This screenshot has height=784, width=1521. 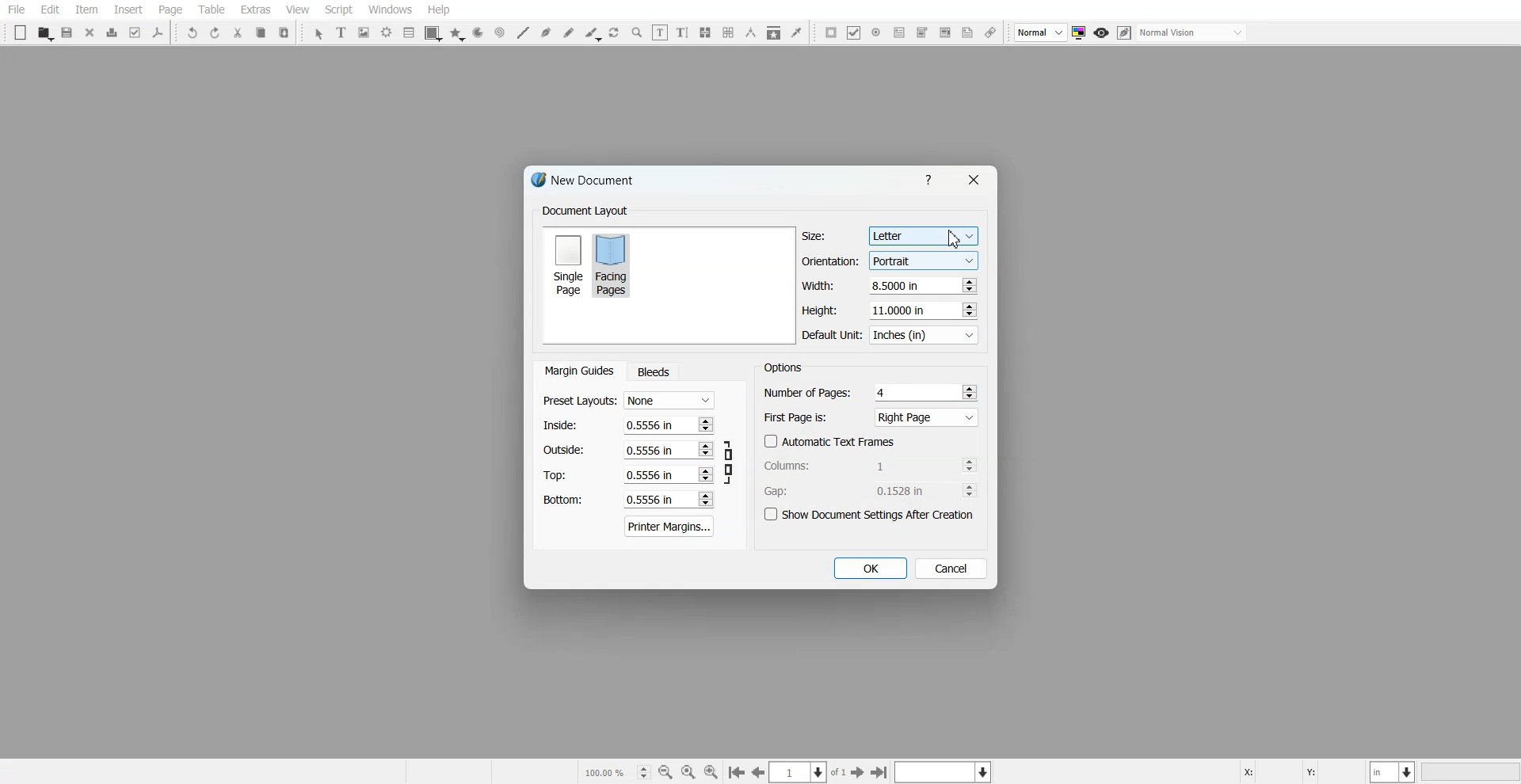 What do you see at coordinates (660, 32) in the screenshot?
I see `Edit contents of frame` at bounding box center [660, 32].